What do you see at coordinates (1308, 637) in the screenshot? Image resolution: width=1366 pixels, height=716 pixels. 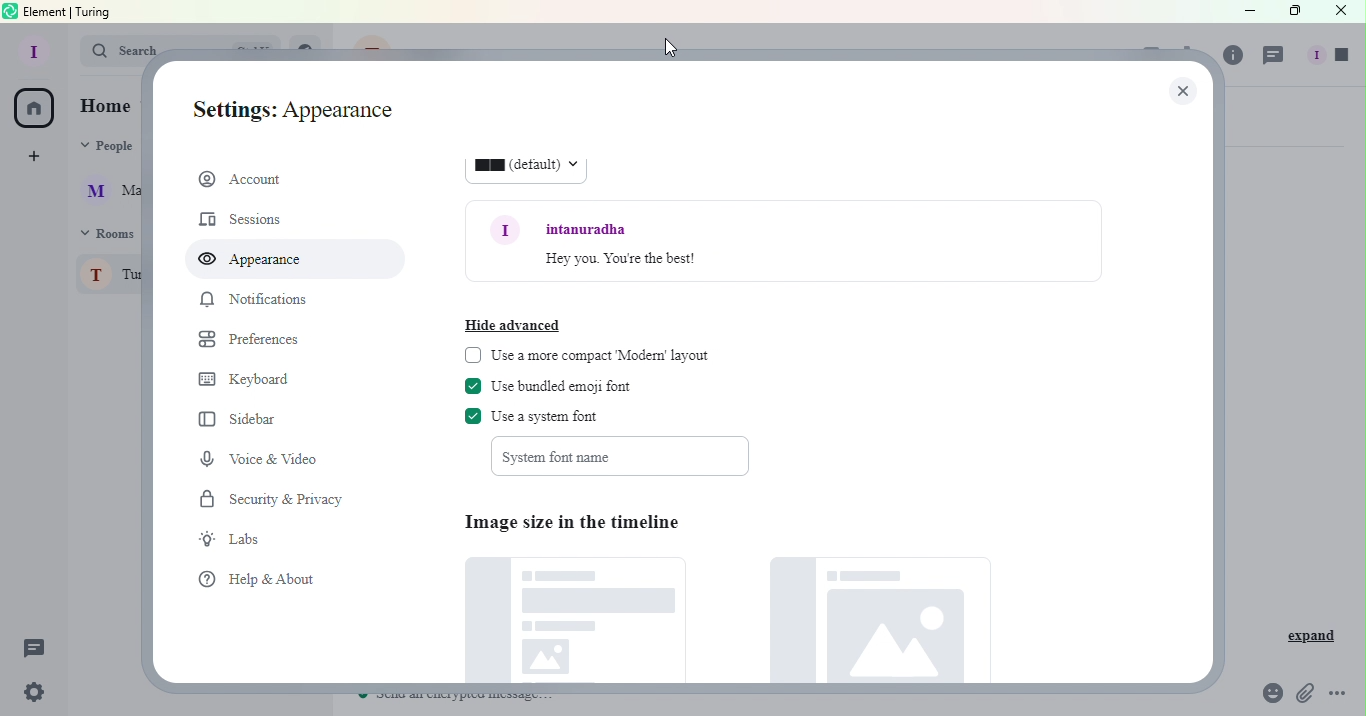 I see `Expand` at bounding box center [1308, 637].